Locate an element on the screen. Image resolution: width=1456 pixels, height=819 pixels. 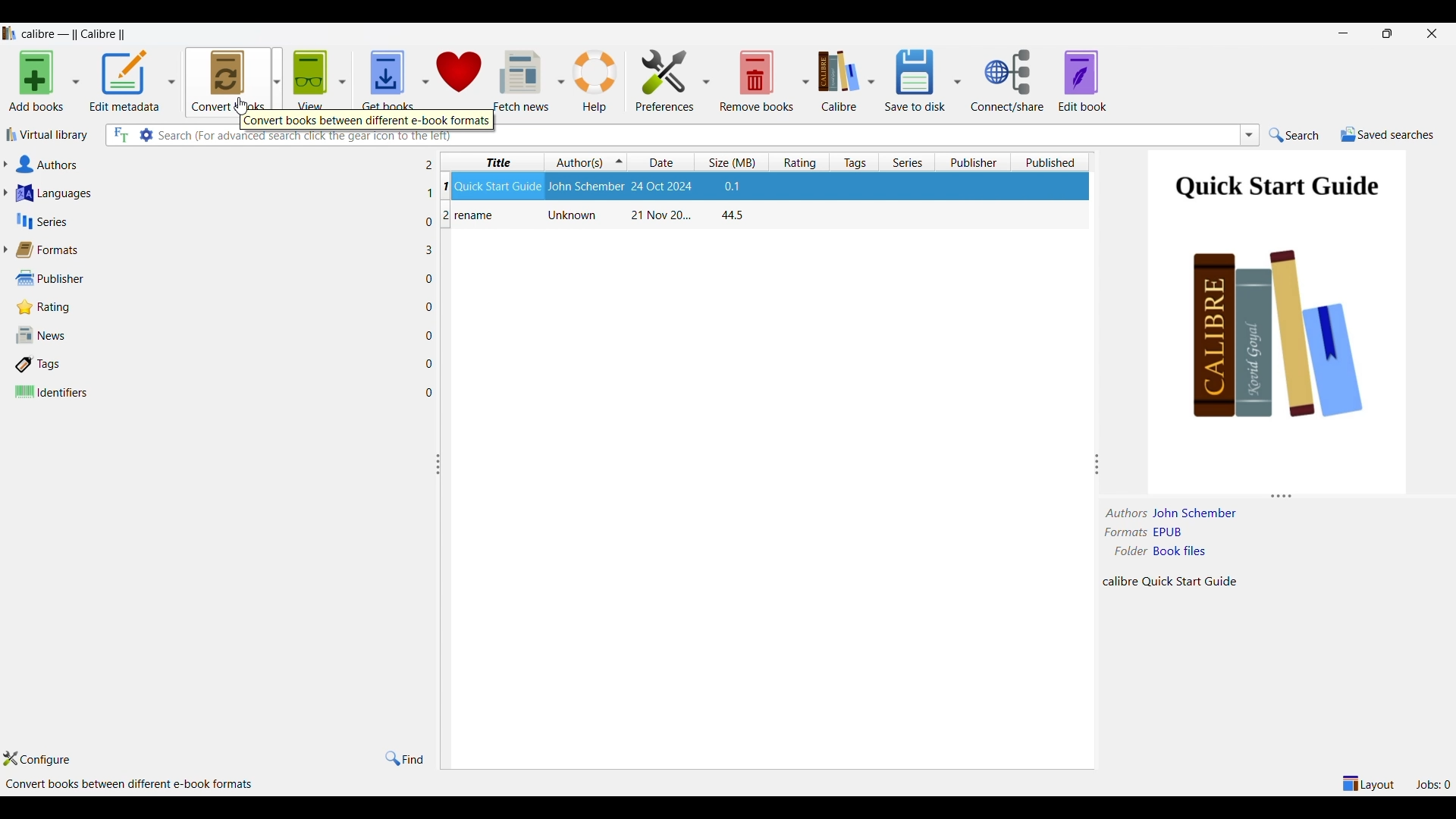
Publisher column is located at coordinates (973, 162).